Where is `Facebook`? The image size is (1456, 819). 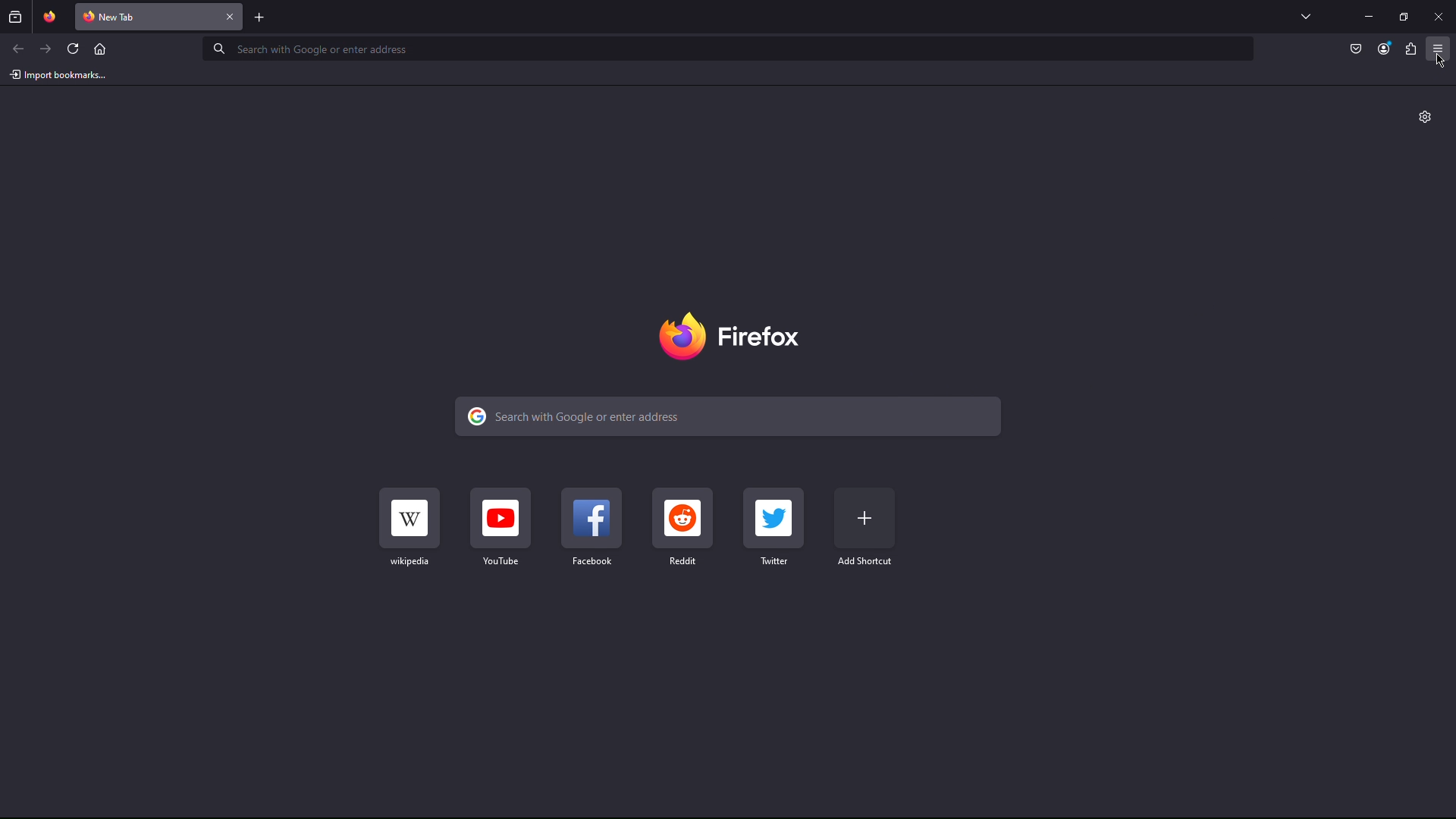 Facebook is located at coordinates (591, 527).